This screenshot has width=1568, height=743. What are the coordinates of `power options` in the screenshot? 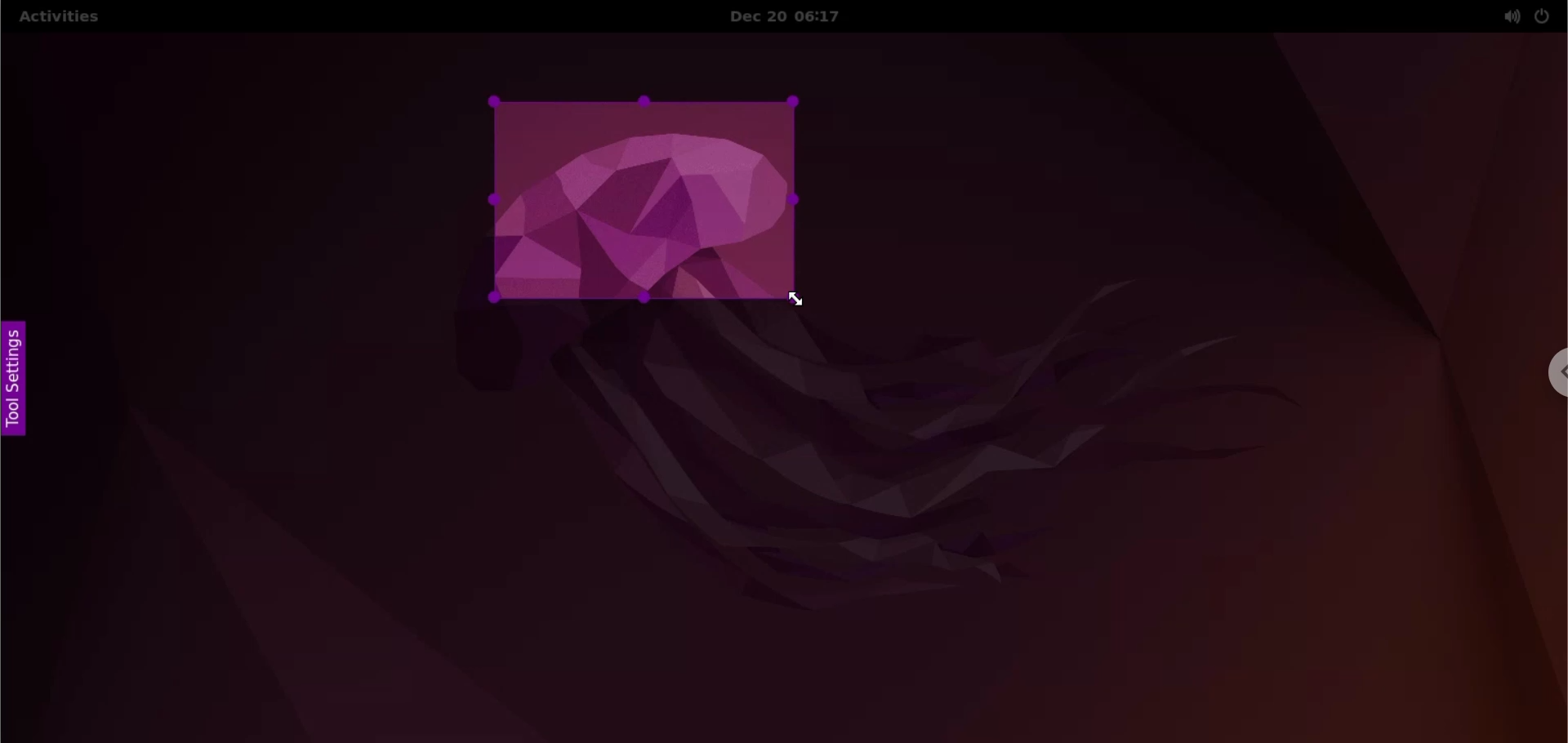 It's located at (1543, 16).